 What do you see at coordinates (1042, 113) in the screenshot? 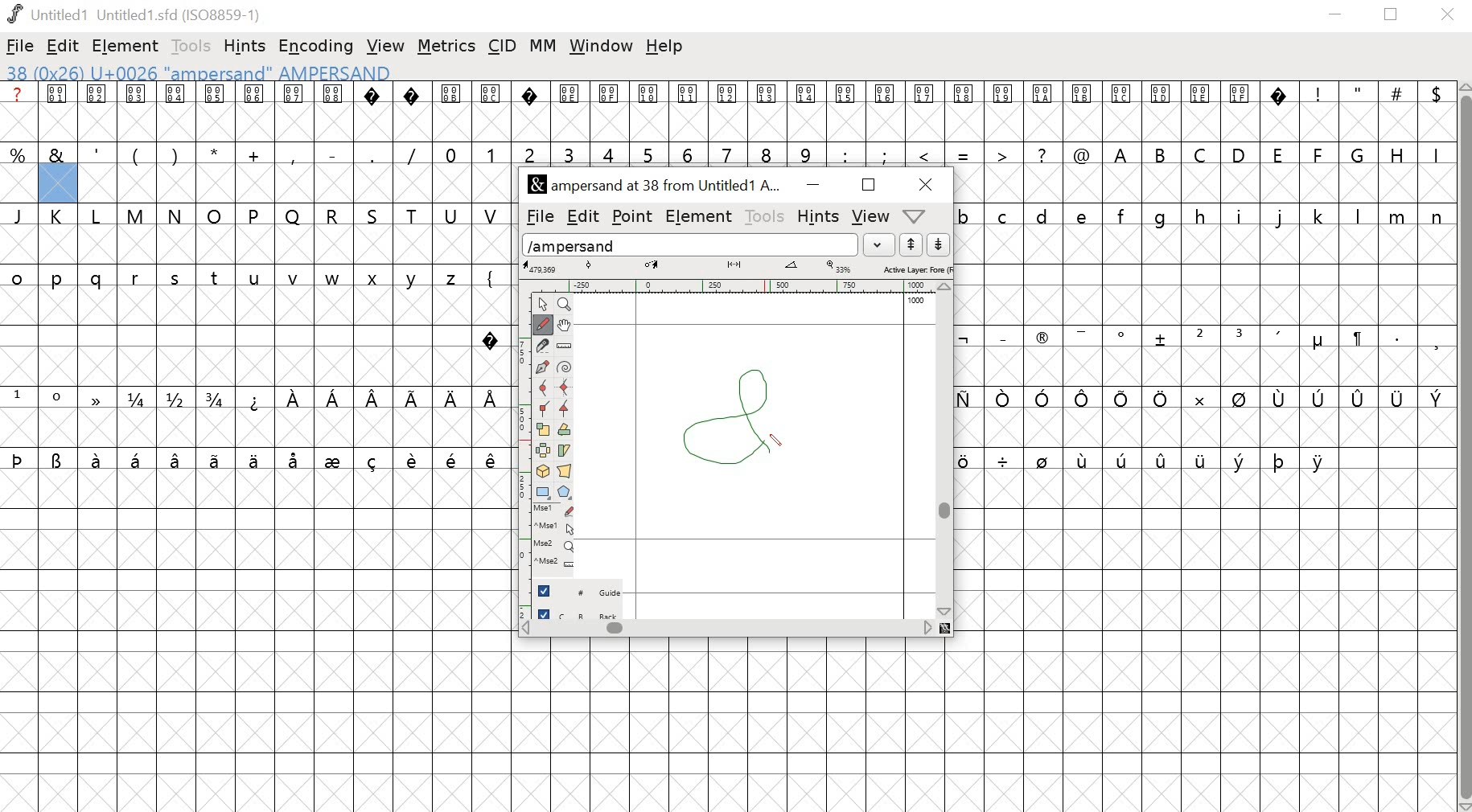
I see `001A` at bounding box center [1042, 113].